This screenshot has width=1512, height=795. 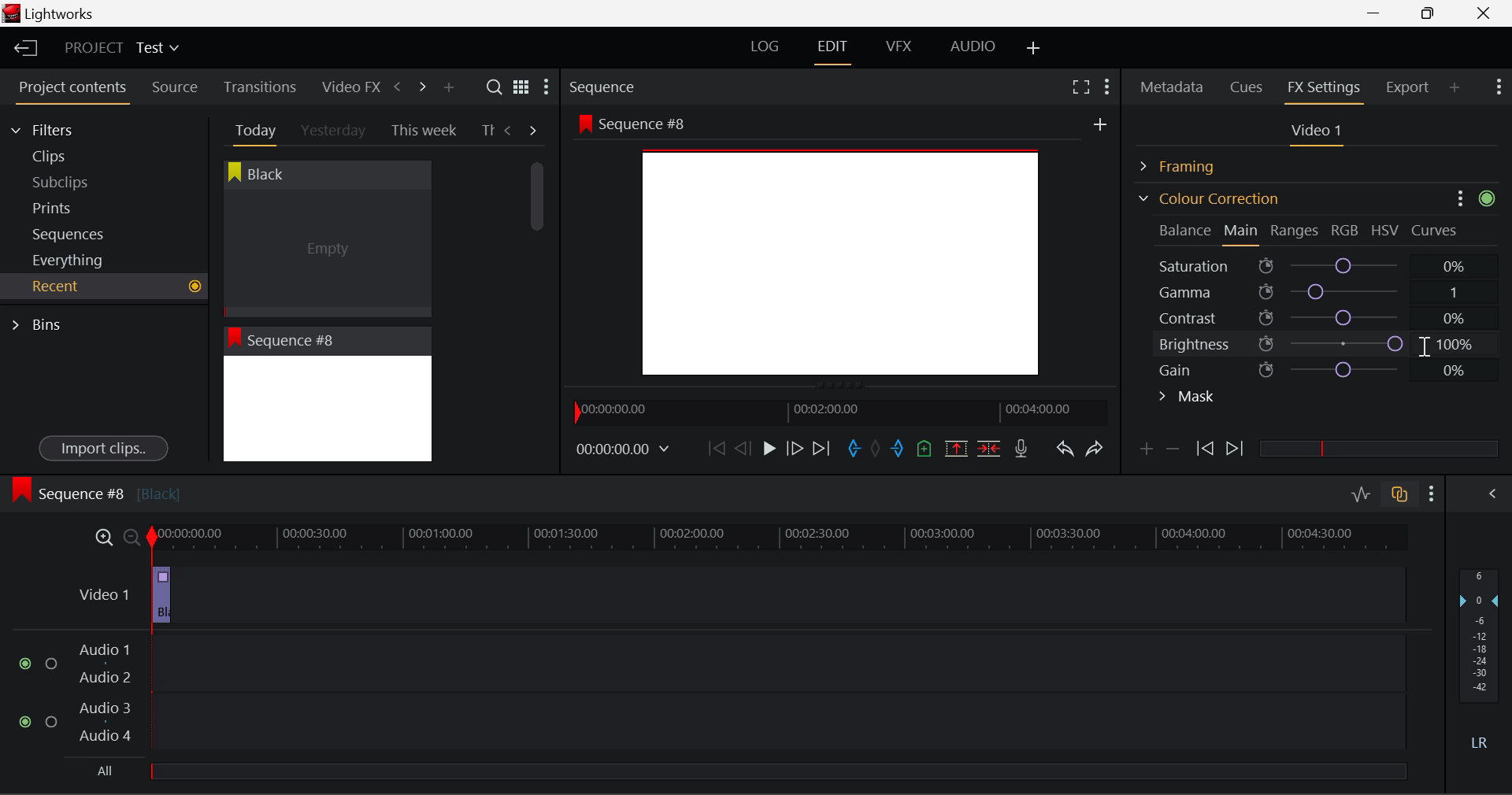 What do you see at coordinates (49, 15) in the screenshot?
I see `Window Title` at bounding box center [49, 15].